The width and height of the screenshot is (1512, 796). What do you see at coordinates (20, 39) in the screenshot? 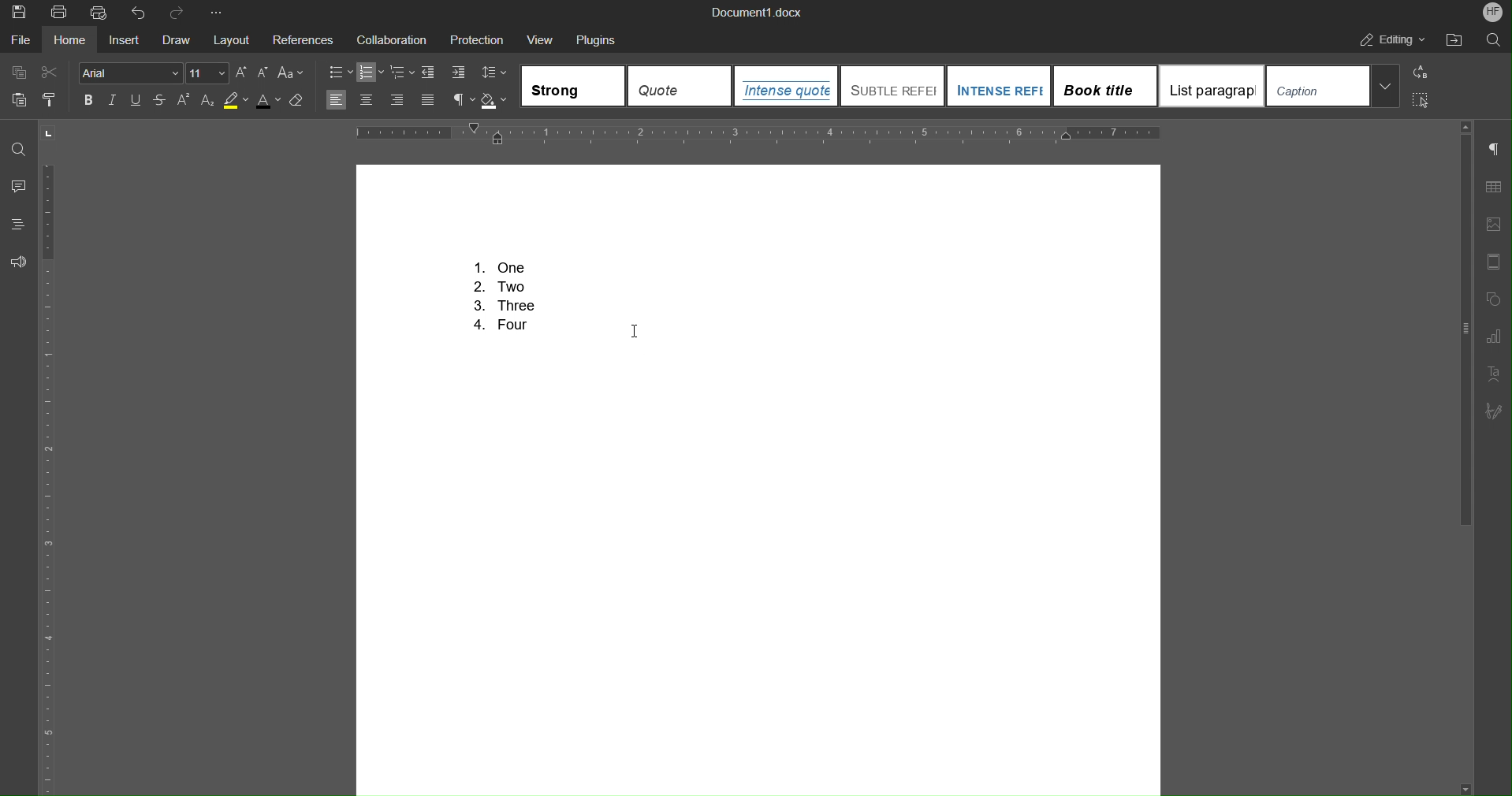
I see `File` at bounding box center [20, 39].